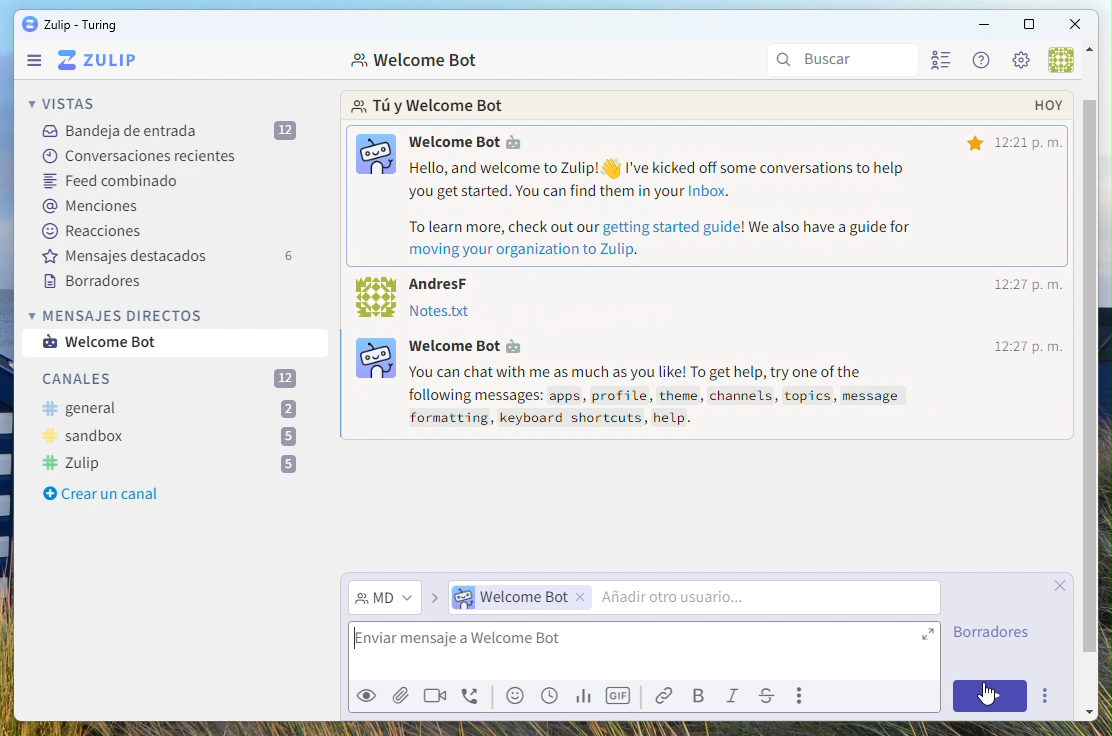  I want to click on Views, so click(66, 103).